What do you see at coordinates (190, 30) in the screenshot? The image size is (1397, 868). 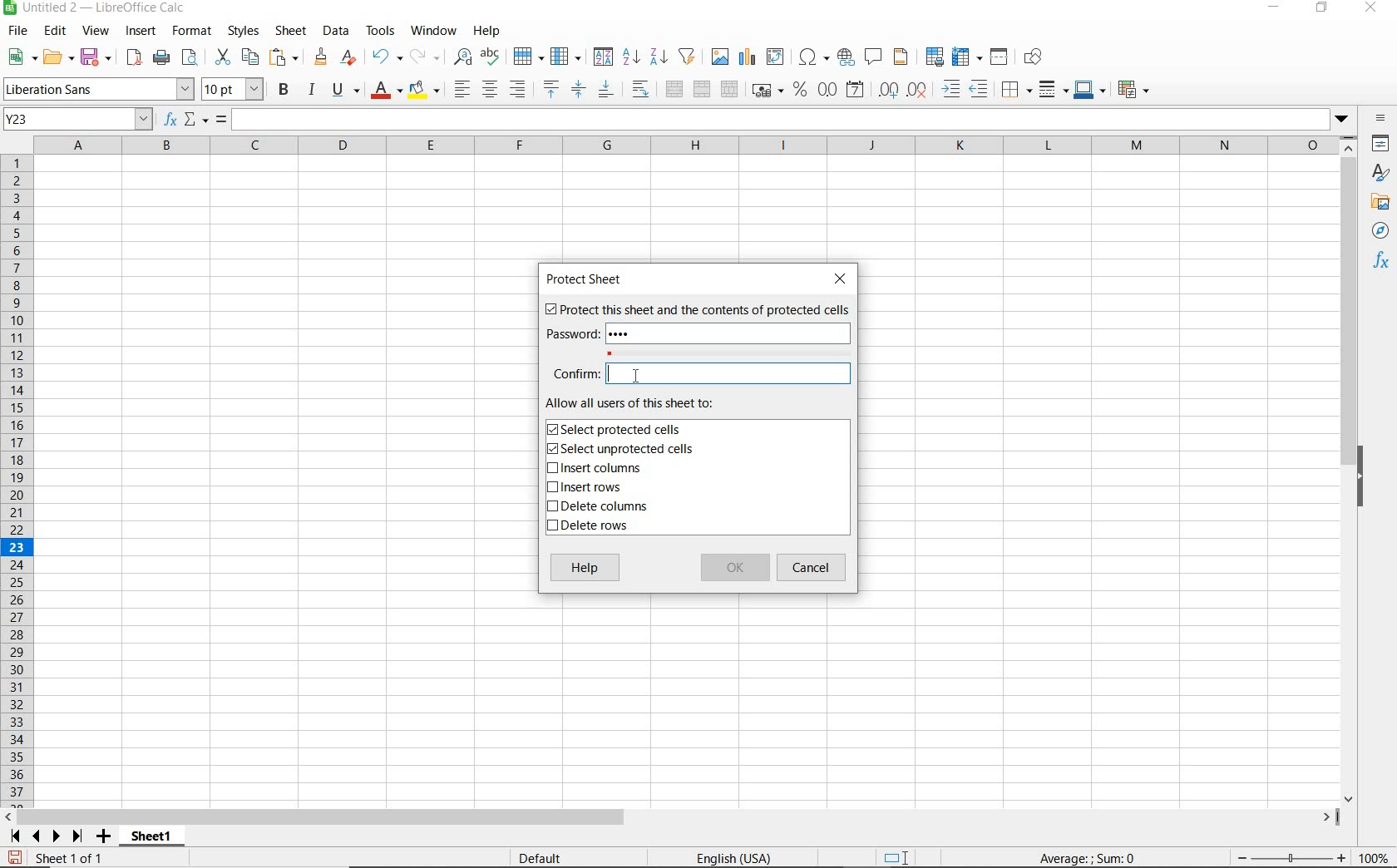 I see `FORMAT` at bounding box center [190, 30].